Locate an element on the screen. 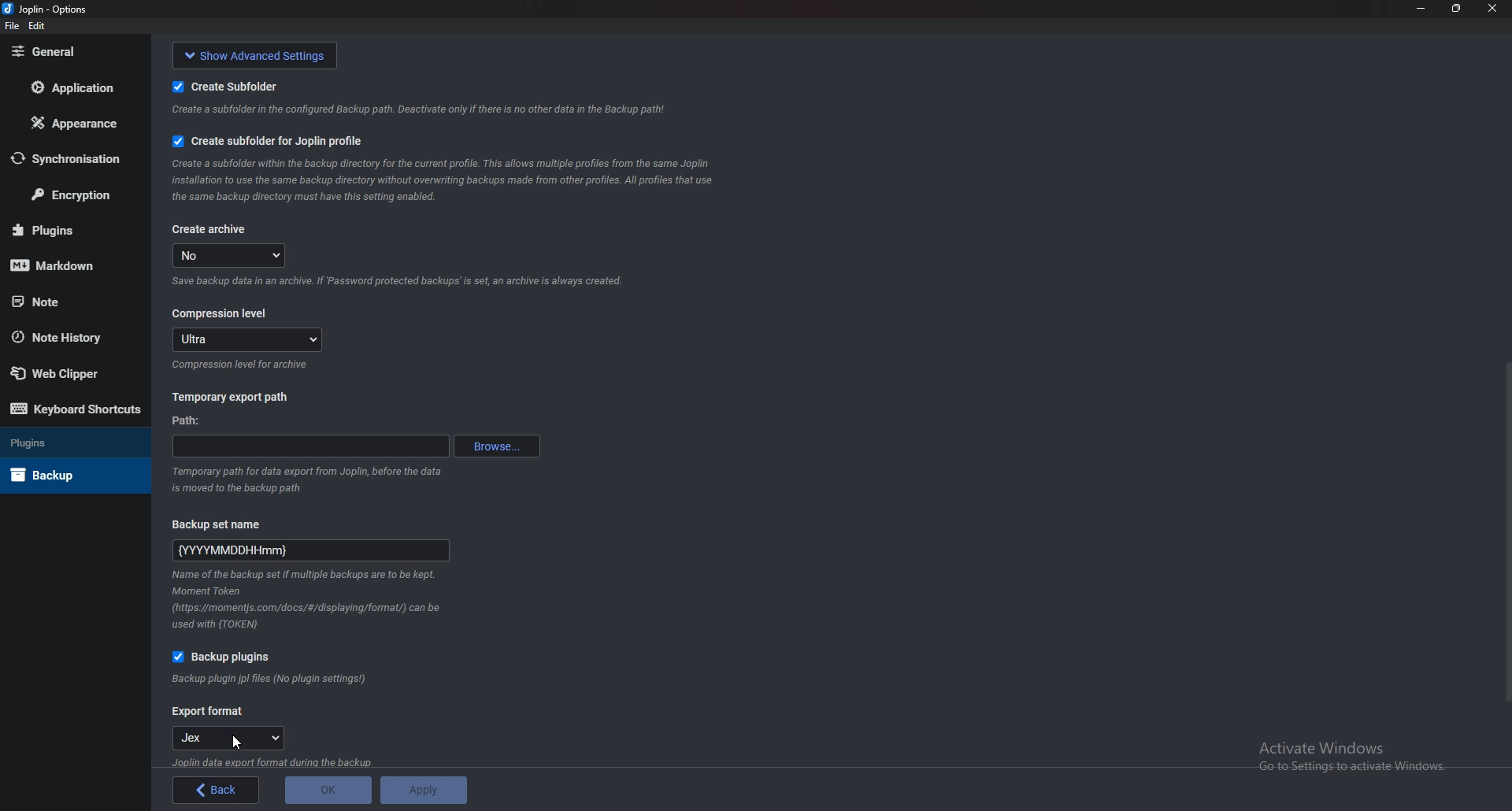 Image resolution: width=1512 pixels, height=811 pixels. cursor is located at coordinates (236, 743).